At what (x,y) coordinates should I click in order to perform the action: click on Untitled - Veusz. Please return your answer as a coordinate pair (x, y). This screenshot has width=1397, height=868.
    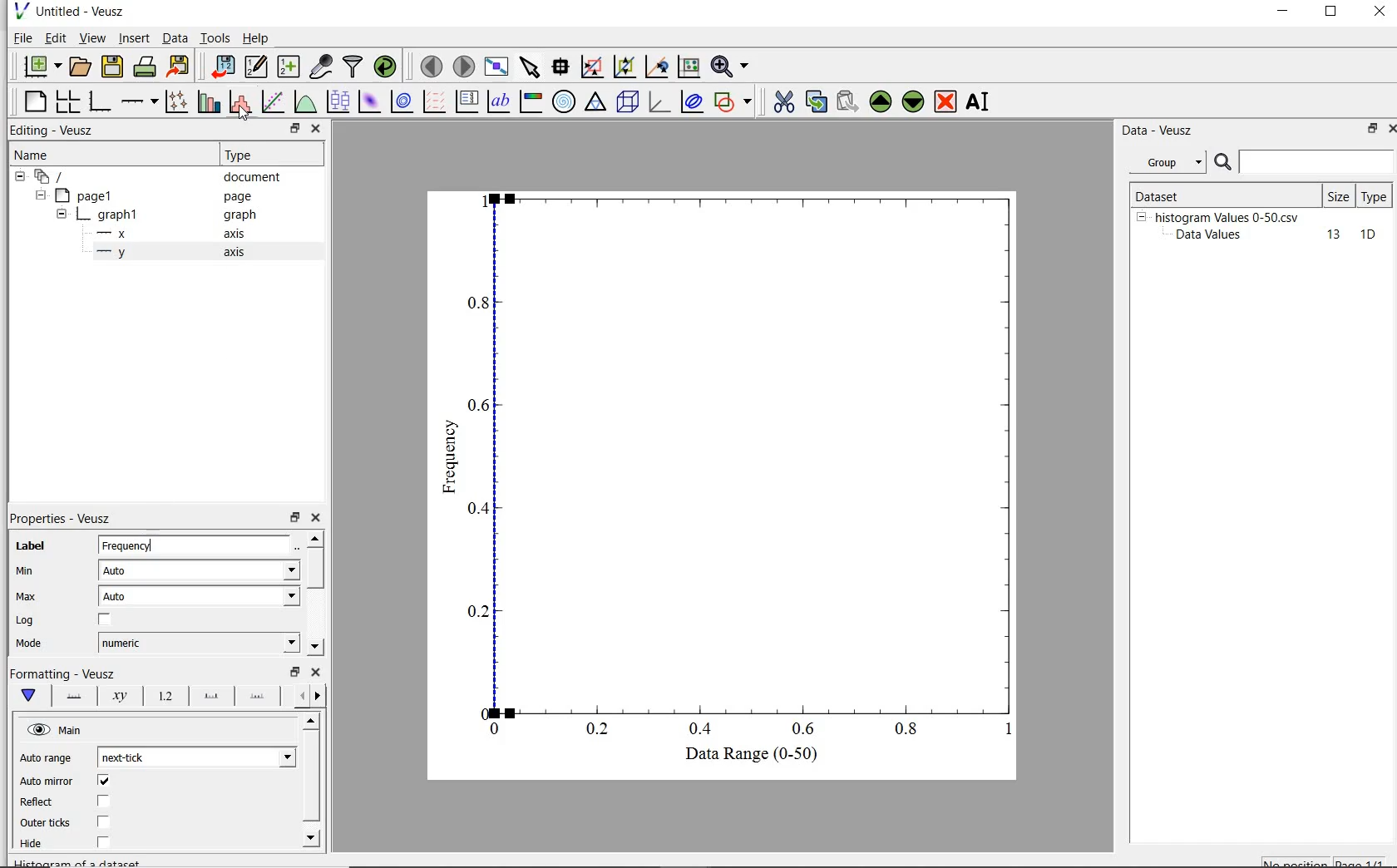
    Looking at the image, I should click on (84, 11).